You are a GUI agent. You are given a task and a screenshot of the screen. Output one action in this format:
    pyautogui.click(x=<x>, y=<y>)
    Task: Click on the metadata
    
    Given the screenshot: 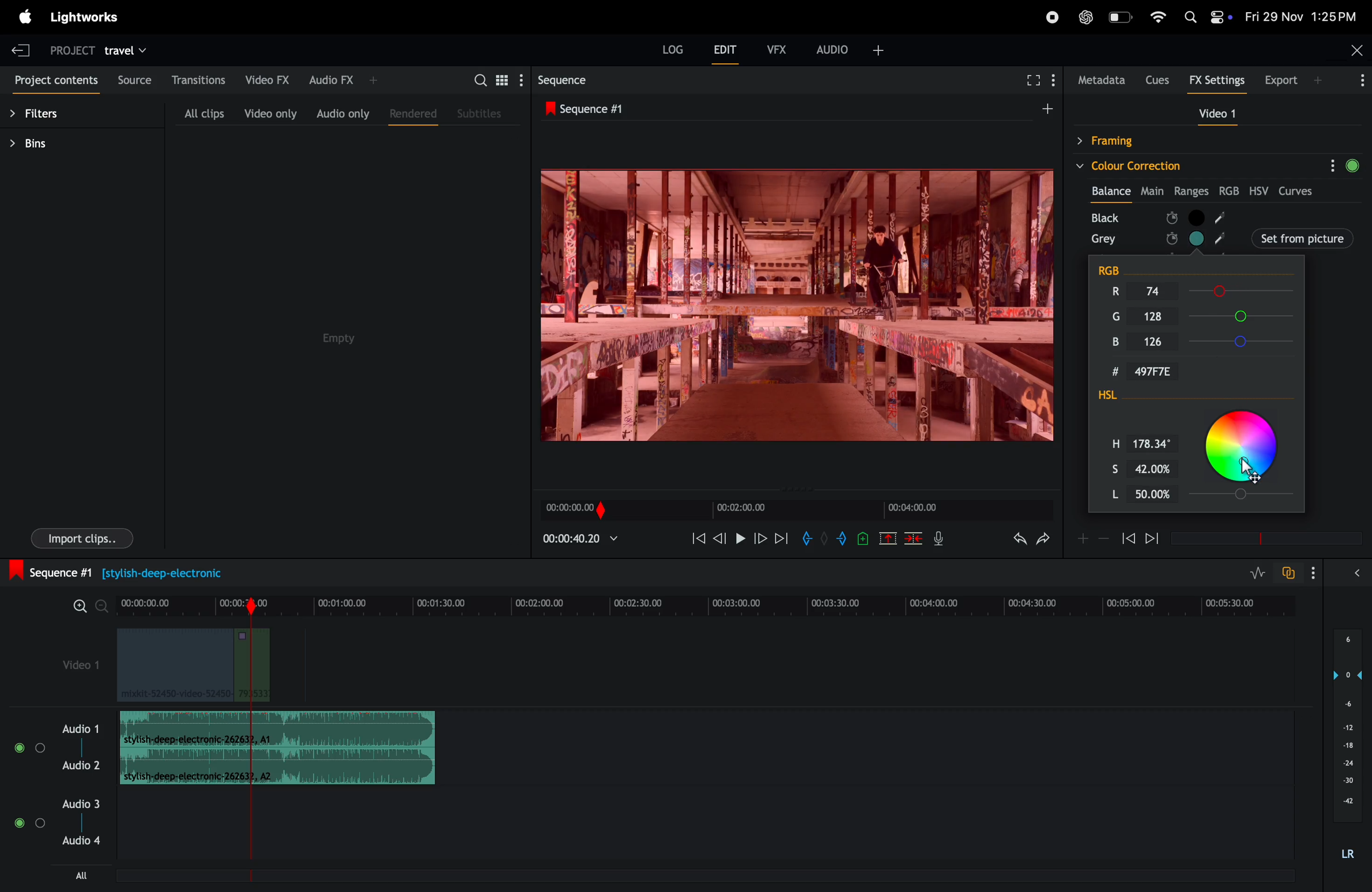 What is the action you would take?
    pyautogui.click(x=1099, y=80)
    